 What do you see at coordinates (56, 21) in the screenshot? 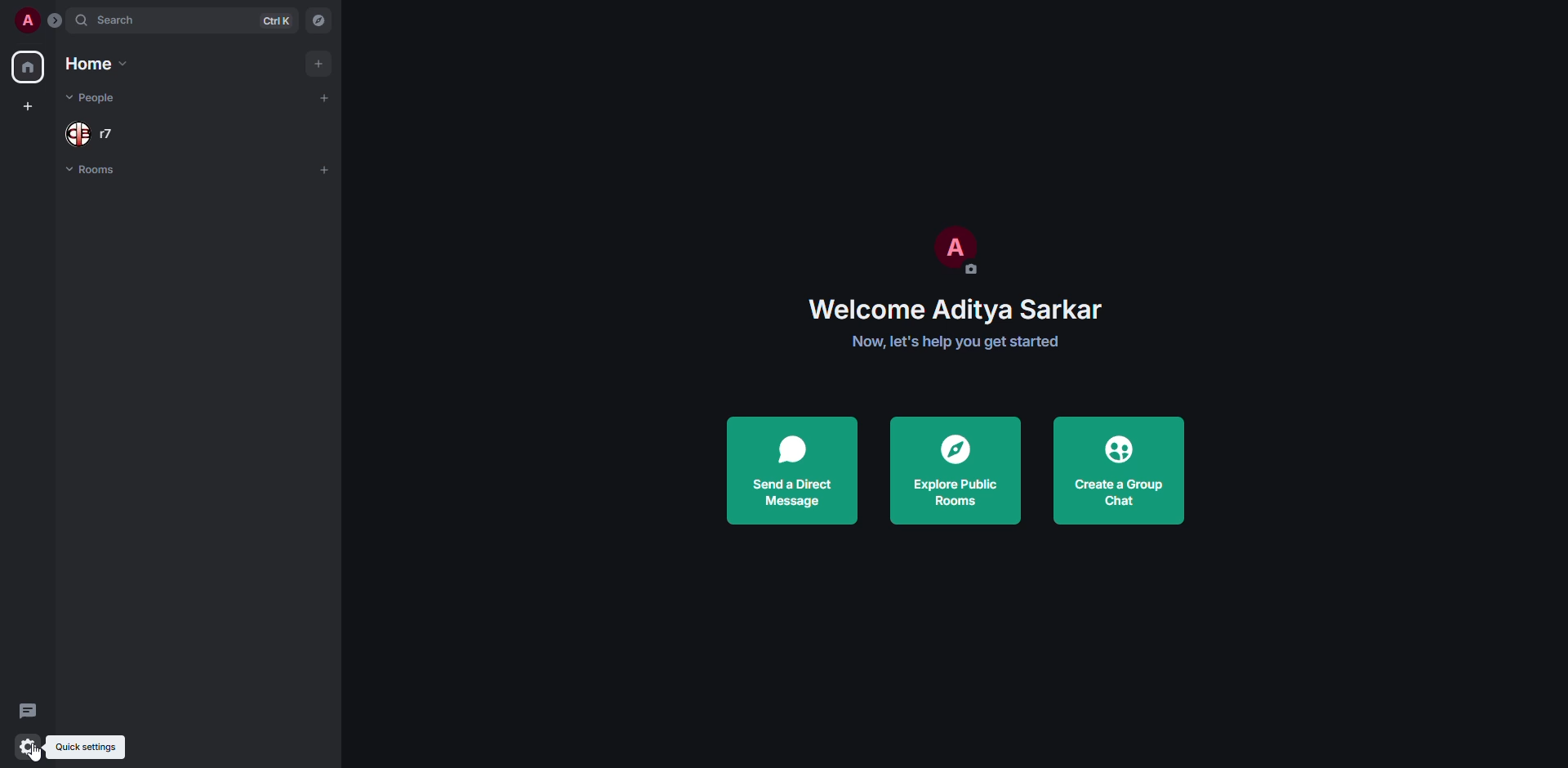
I see `expand` at bounding box center [56, 21].